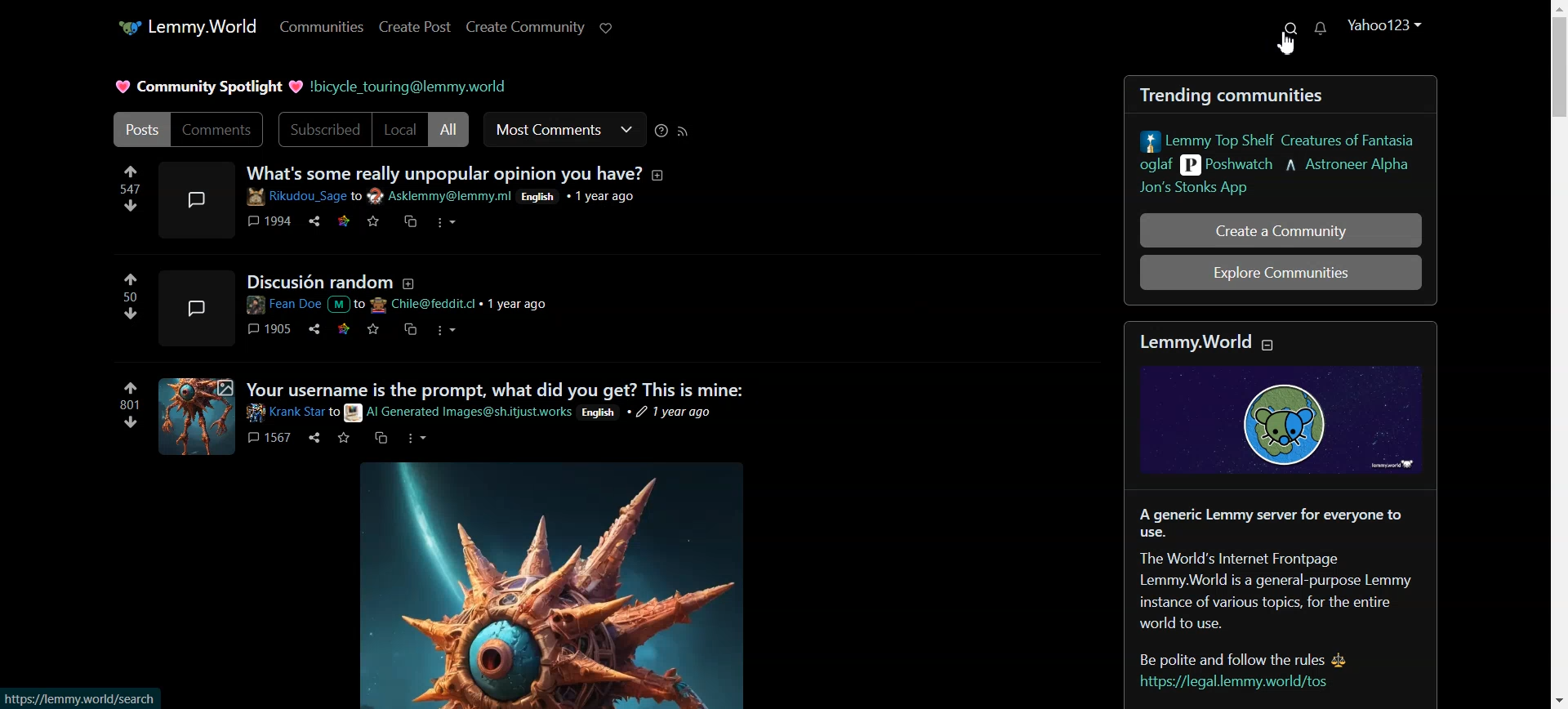 The width and height of the screenshot is (1568, 709). Describe the element at coordinates (1279, 30) in the screenshot. I see `Search` at that location.